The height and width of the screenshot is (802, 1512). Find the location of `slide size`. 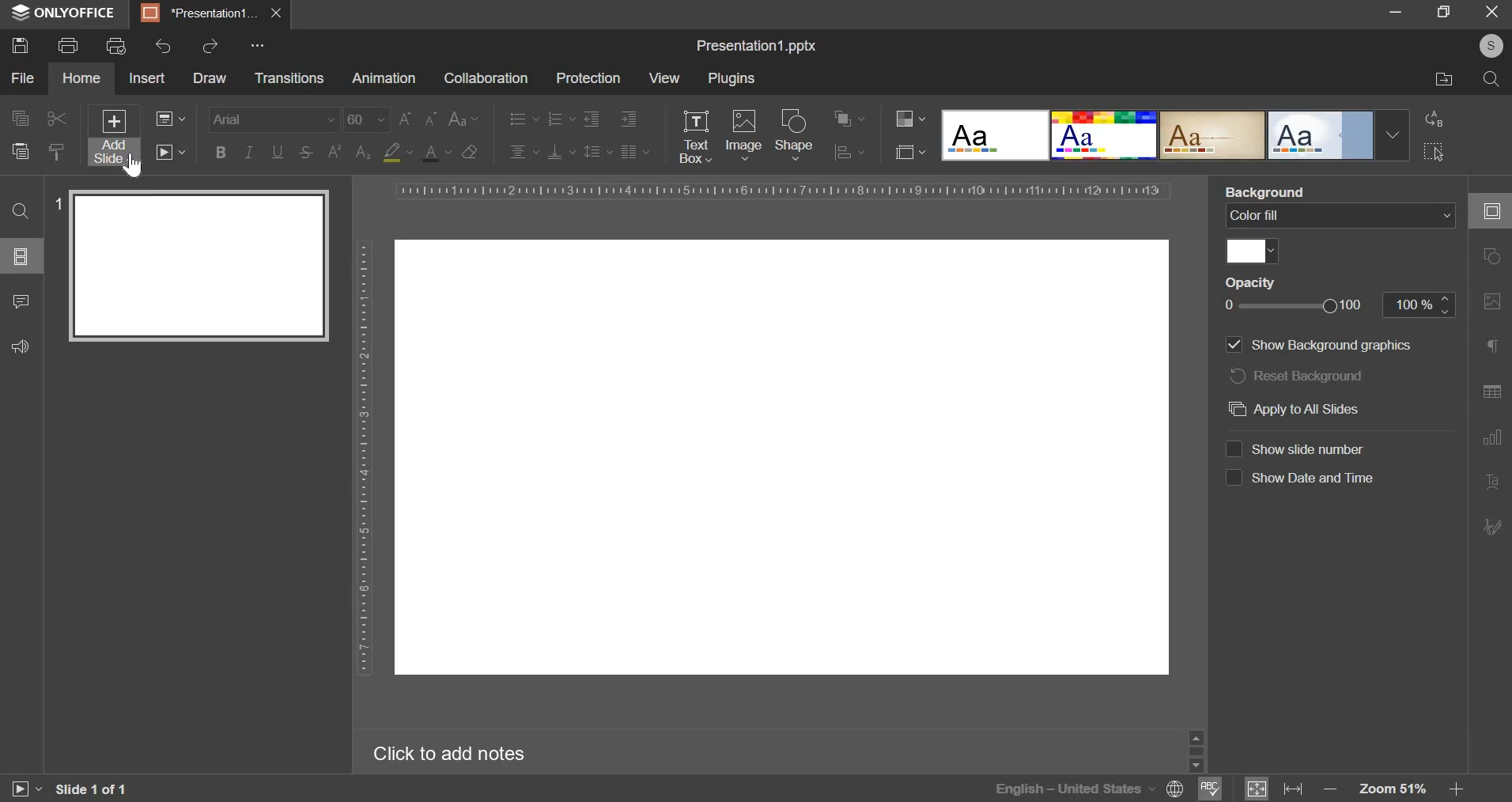

slide size is located at coordinates (910, 150).